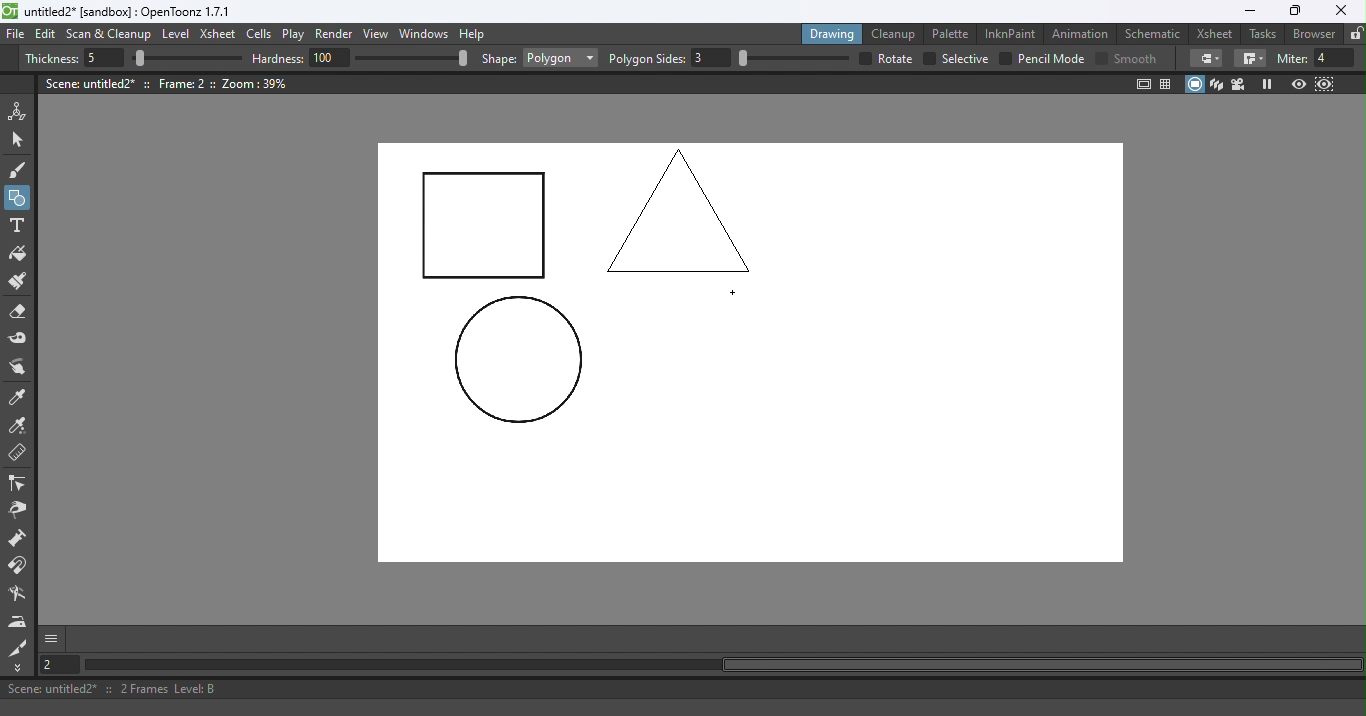 The width and height of the screenshot is (1366, 716). Describe the element at coordinates (18, 256) in the screenshot. I see `Fill tool` at that location.